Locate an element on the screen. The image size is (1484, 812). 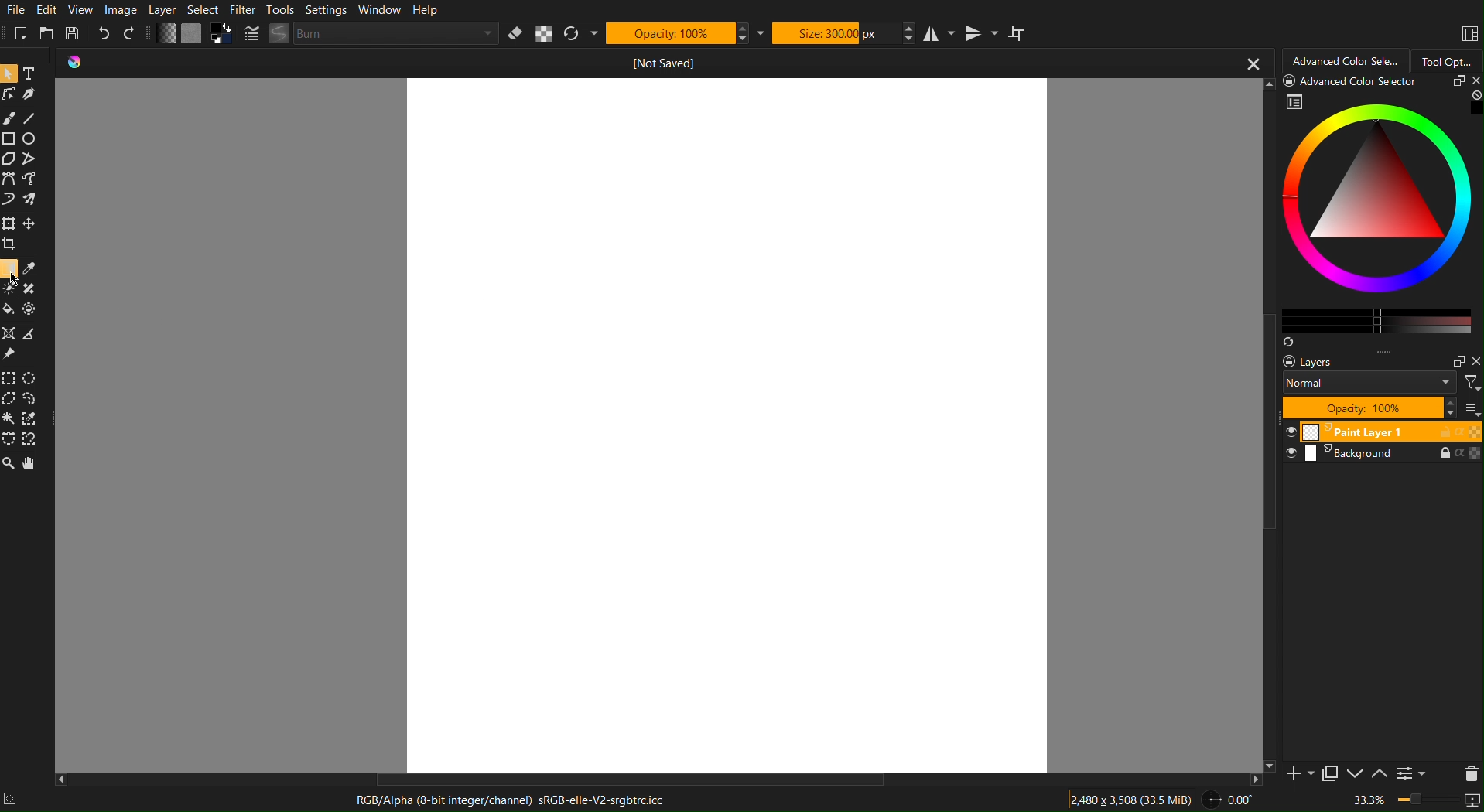
Dimensions is located at coordinates (1133, 799).